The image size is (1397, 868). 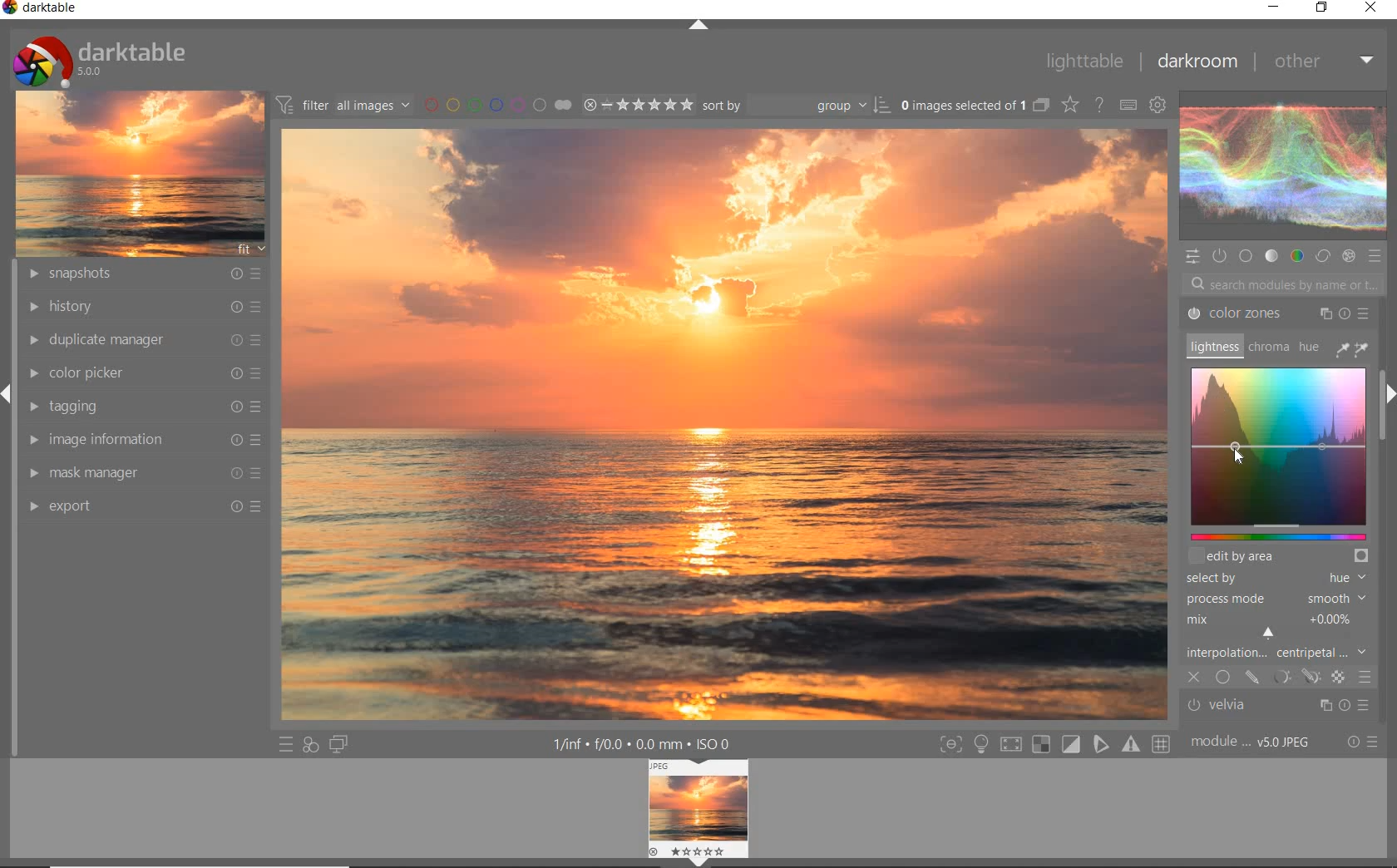 What do you see at coordinates (1374, 9) in the screenshot?
I see `close` at bounding box center [1374, 9].